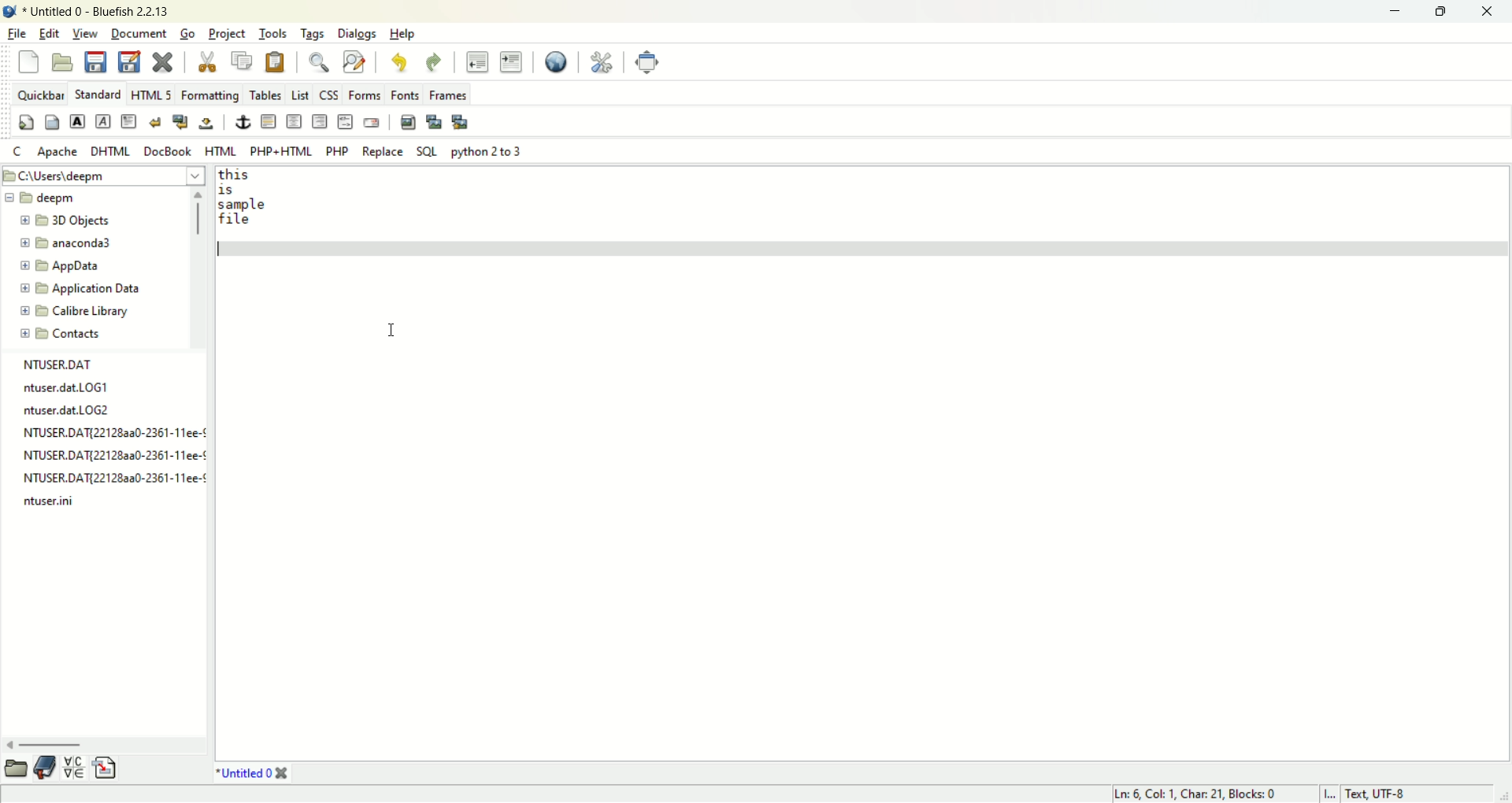 Image resolution: width=1512 pixels, height=803 pixels. Describe the element at coordinates (460, 120) in the screenshot. I see `multi thumbnail` at that location.